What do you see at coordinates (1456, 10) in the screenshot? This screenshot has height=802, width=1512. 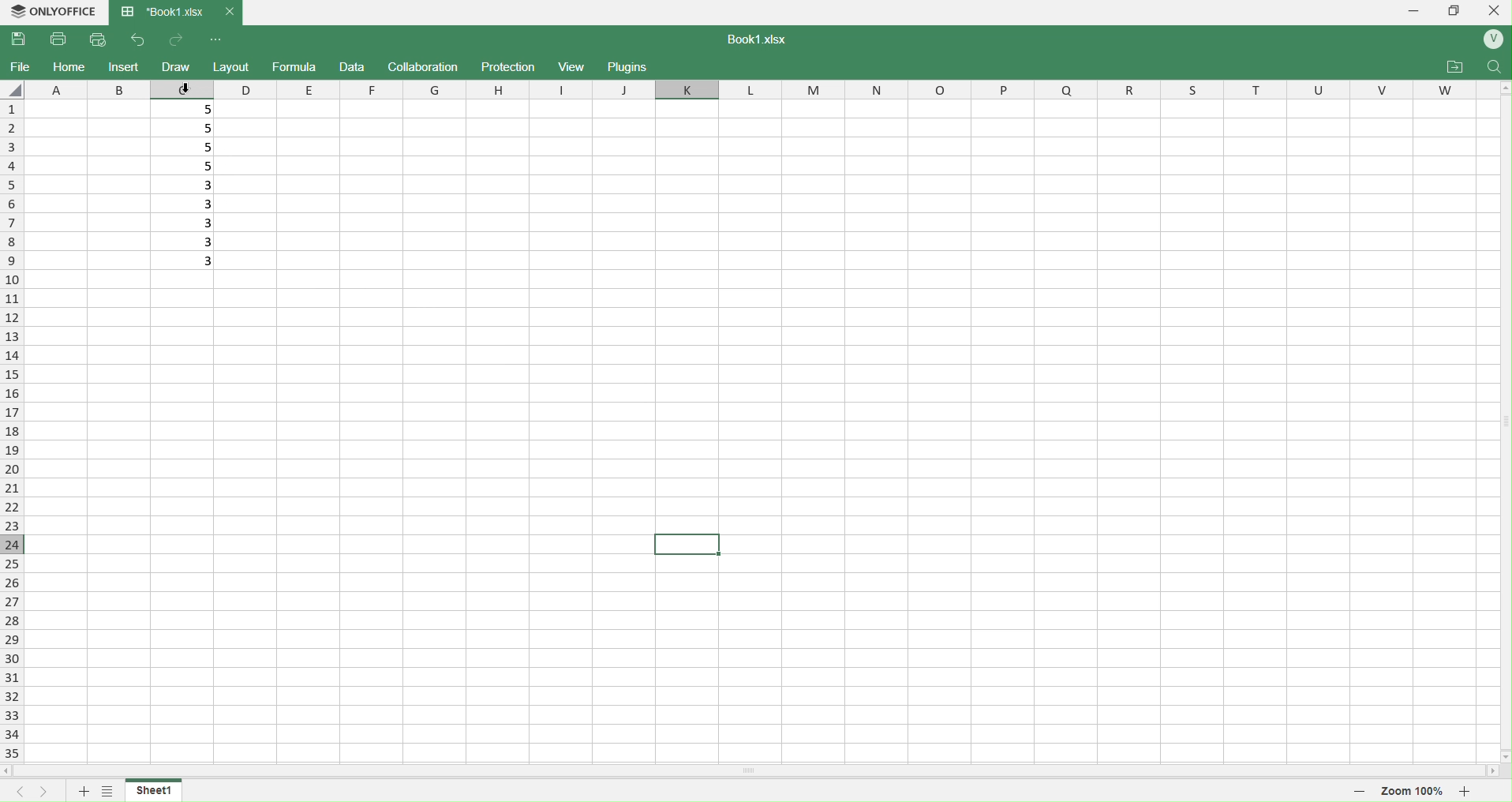 I see `Box` at bounding box center [1456, 10].